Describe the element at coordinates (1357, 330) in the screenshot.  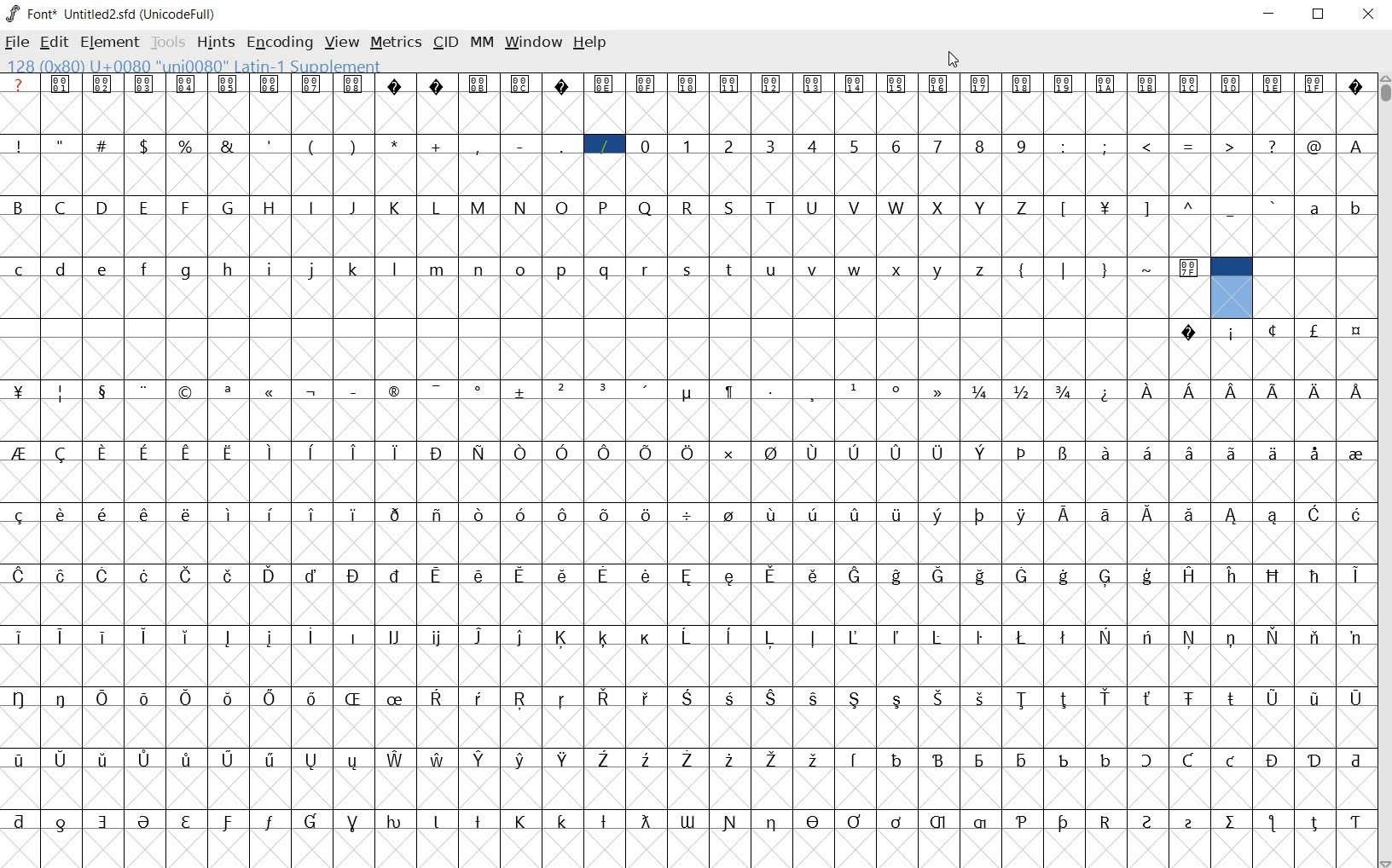
I see `Symbol` at that location.